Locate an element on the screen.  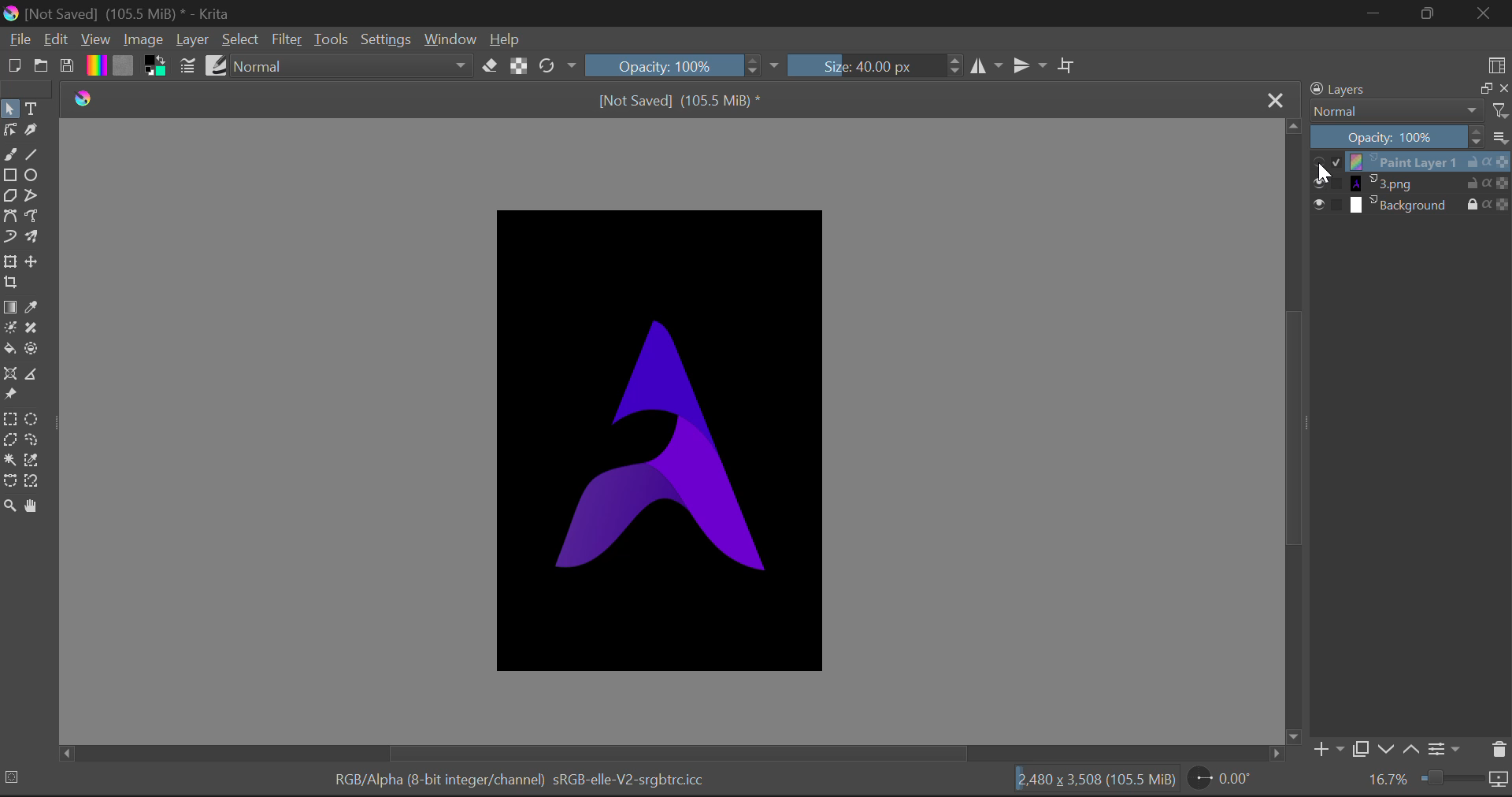
Settings is located at coordinates (1447, 751).